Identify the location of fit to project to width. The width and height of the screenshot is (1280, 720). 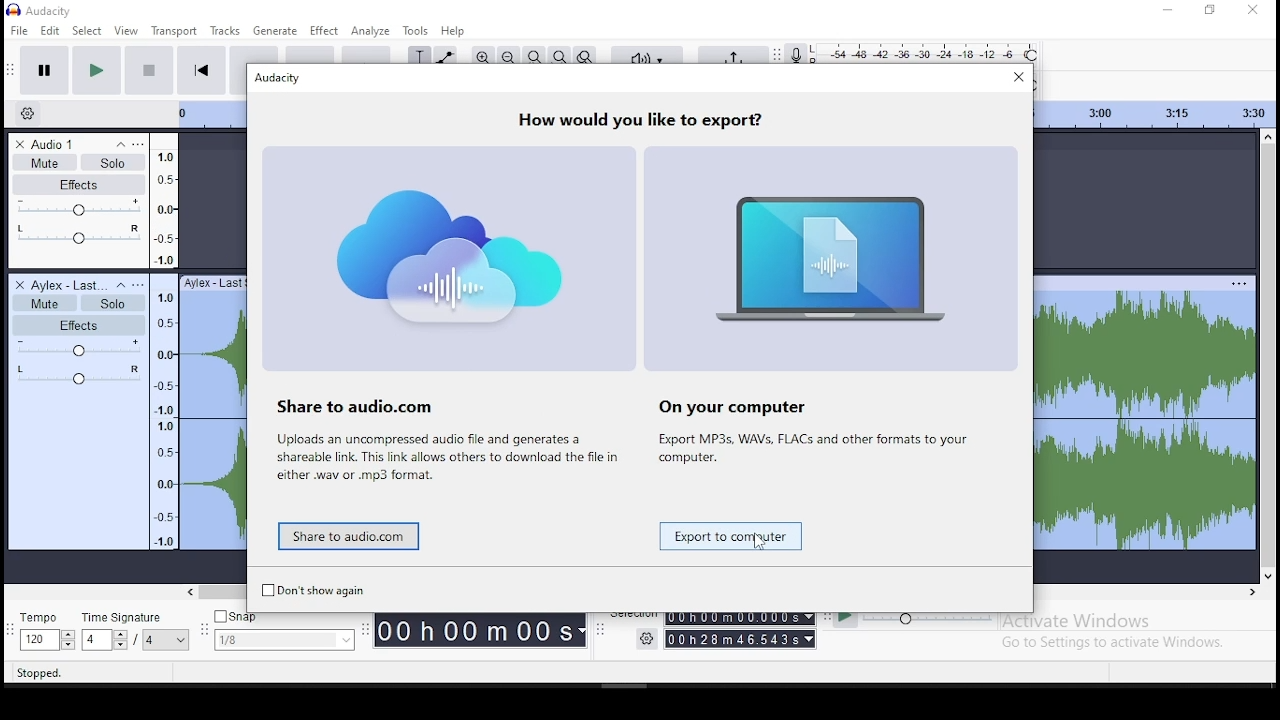
(559, 56).